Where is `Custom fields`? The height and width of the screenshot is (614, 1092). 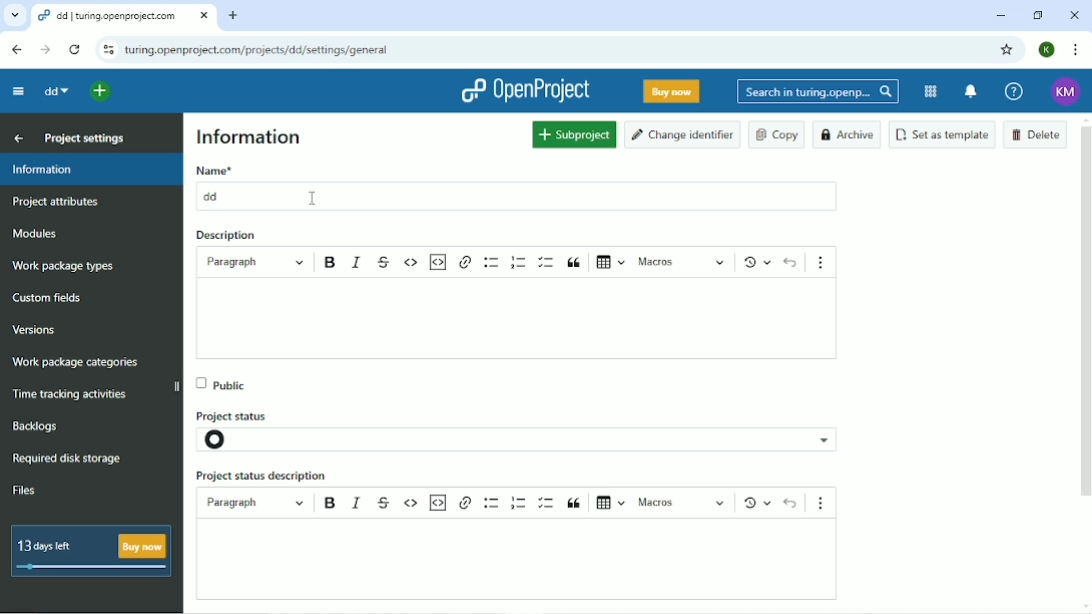 Custom fields is located at coordinates (51, 299).